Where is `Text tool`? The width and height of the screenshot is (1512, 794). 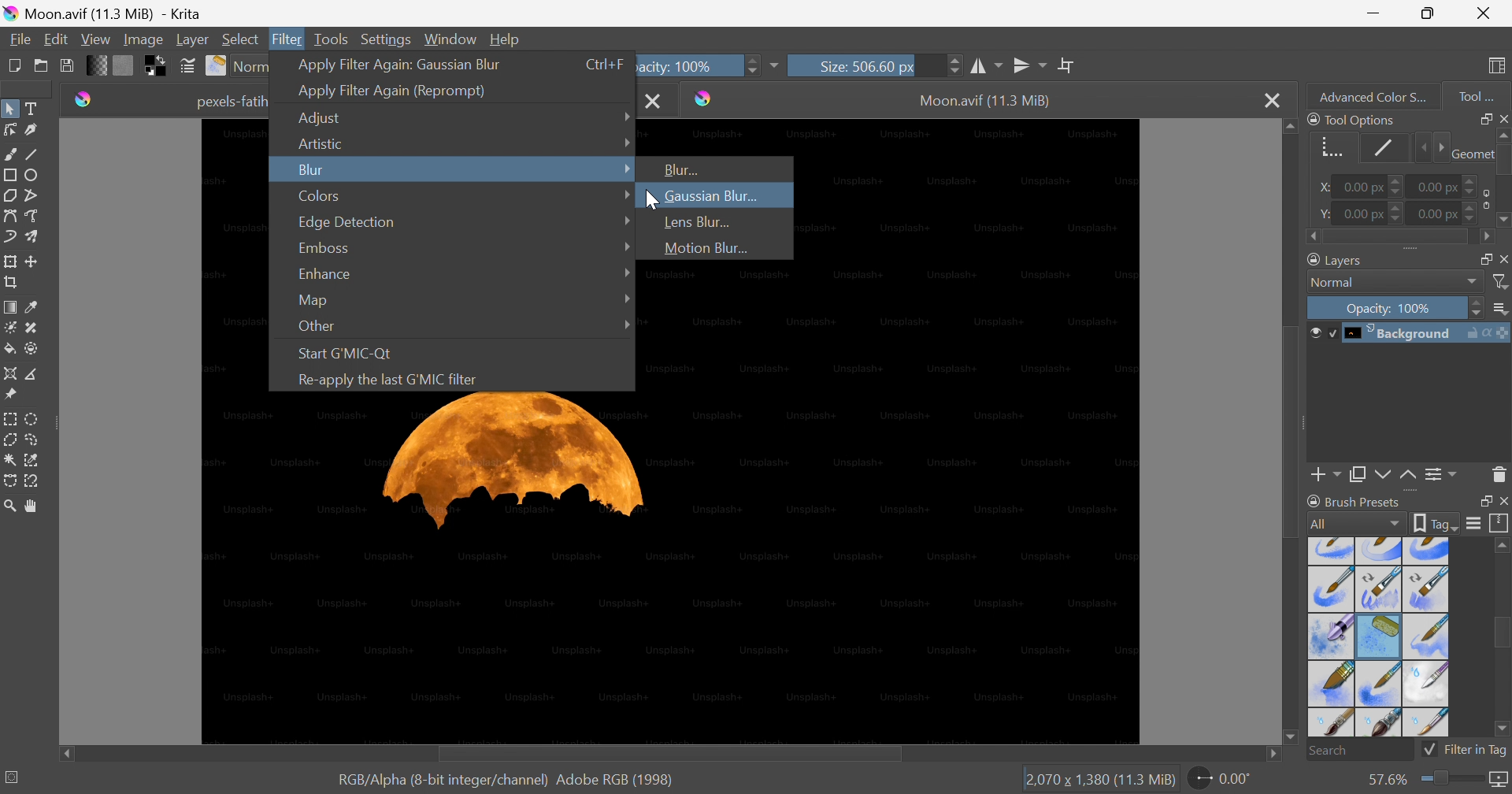 Text tool is located at coordinates (31, 108).